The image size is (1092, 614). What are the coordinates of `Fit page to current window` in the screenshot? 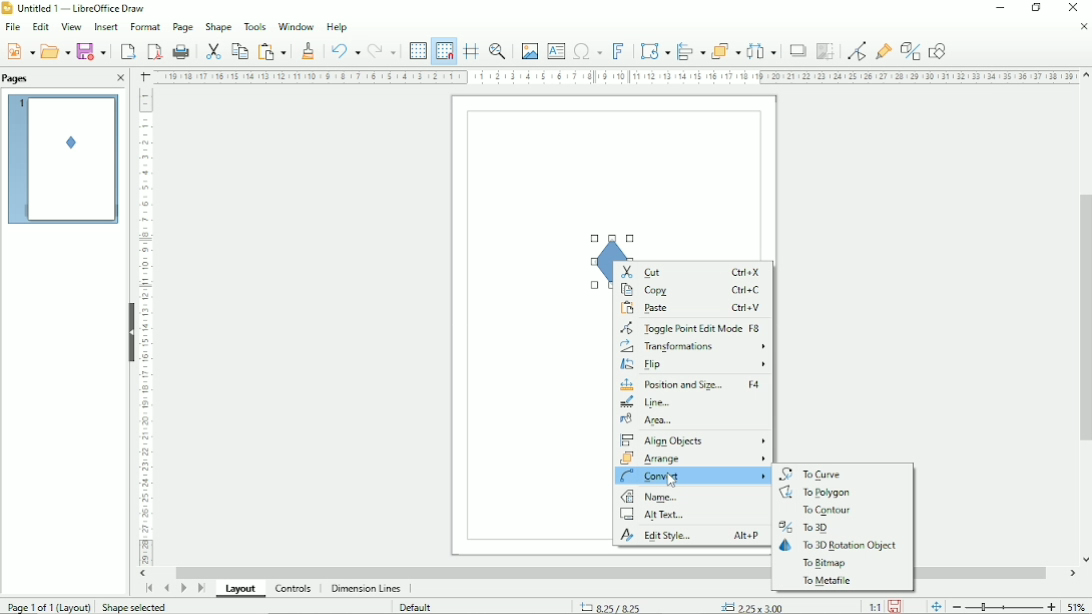 It's located at (935, 605).